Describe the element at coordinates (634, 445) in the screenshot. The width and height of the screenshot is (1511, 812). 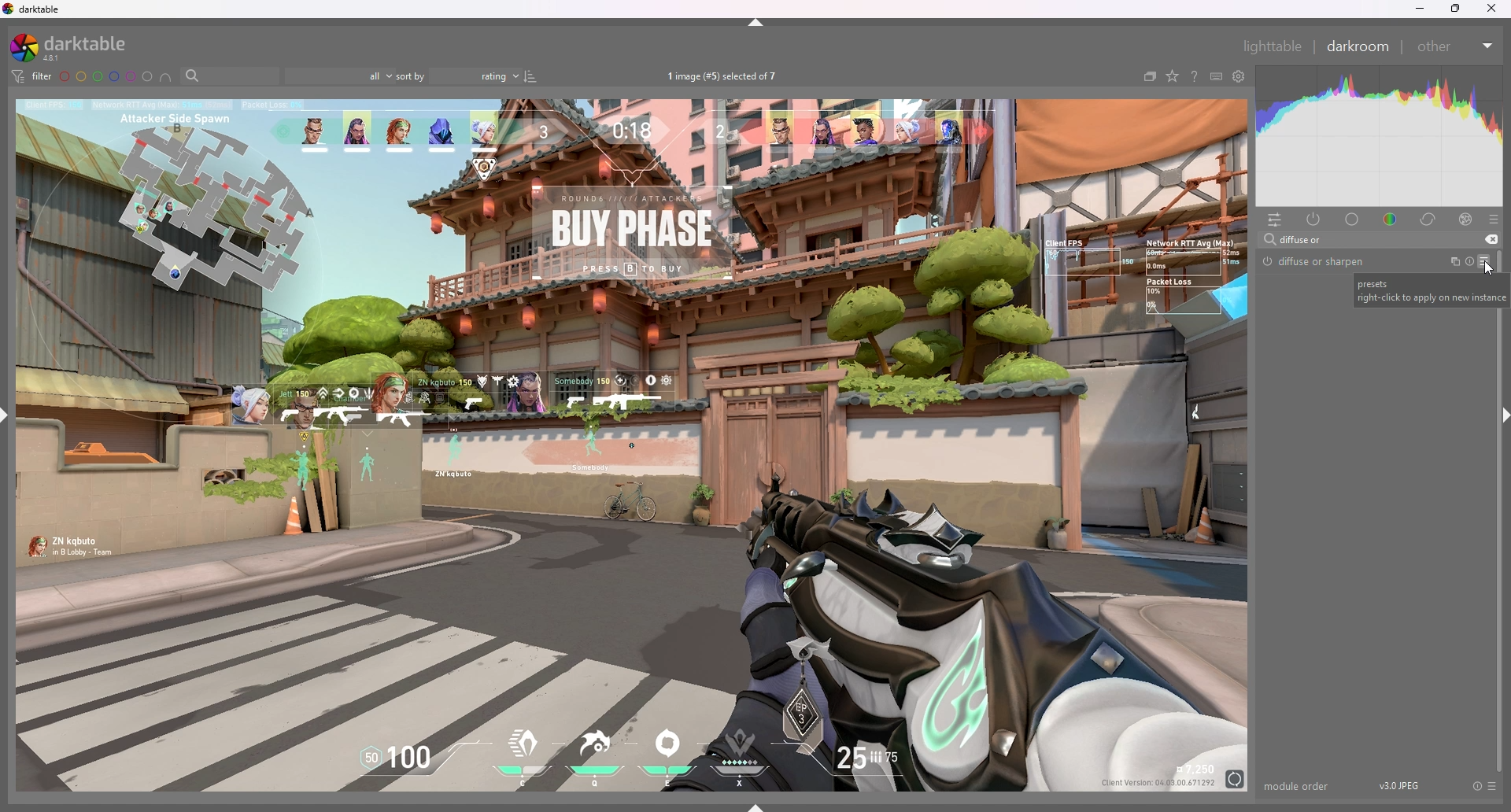
I see `photo` at that location.